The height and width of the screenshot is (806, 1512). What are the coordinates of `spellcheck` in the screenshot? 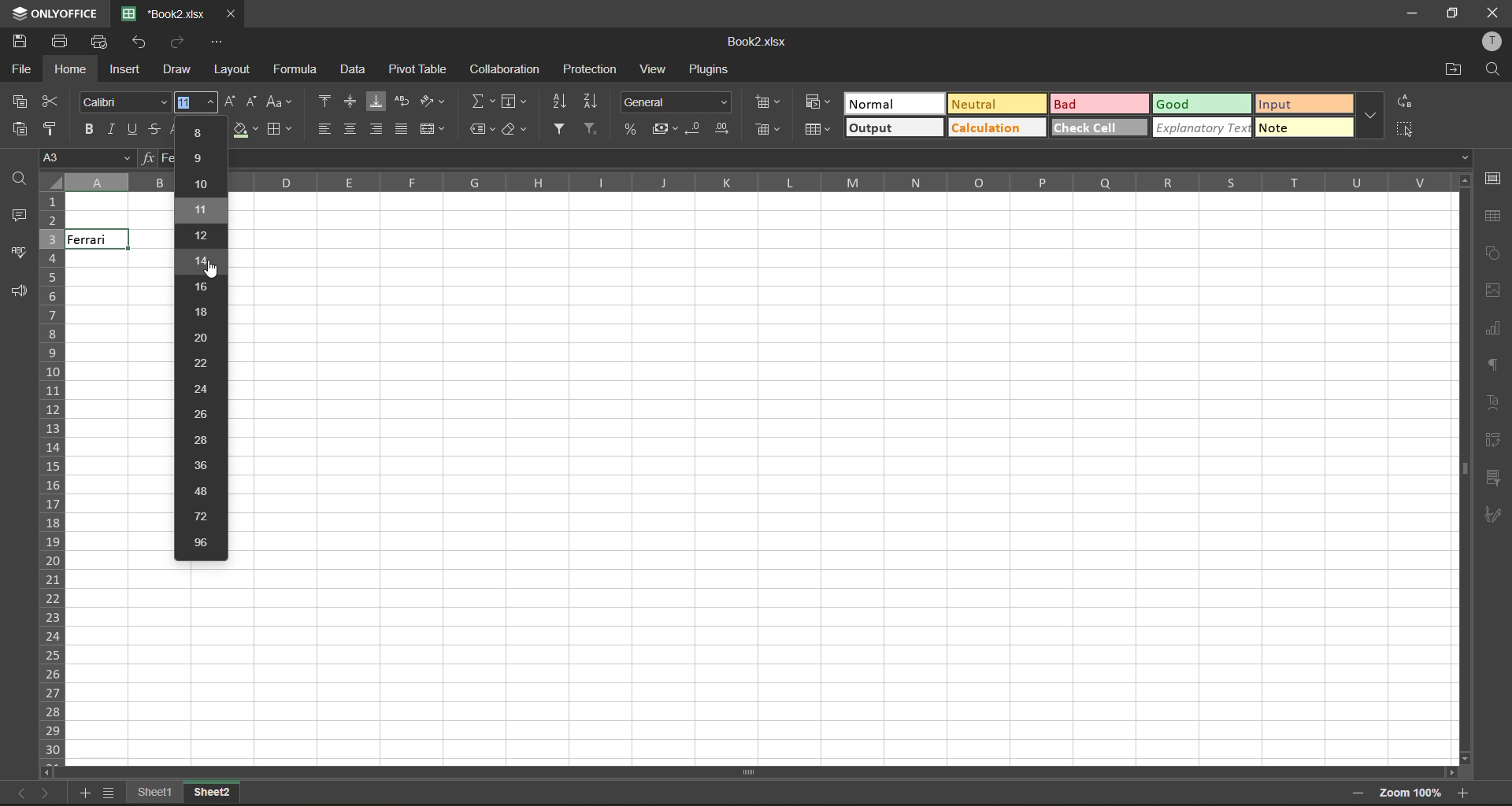 It's located at (17, 255).